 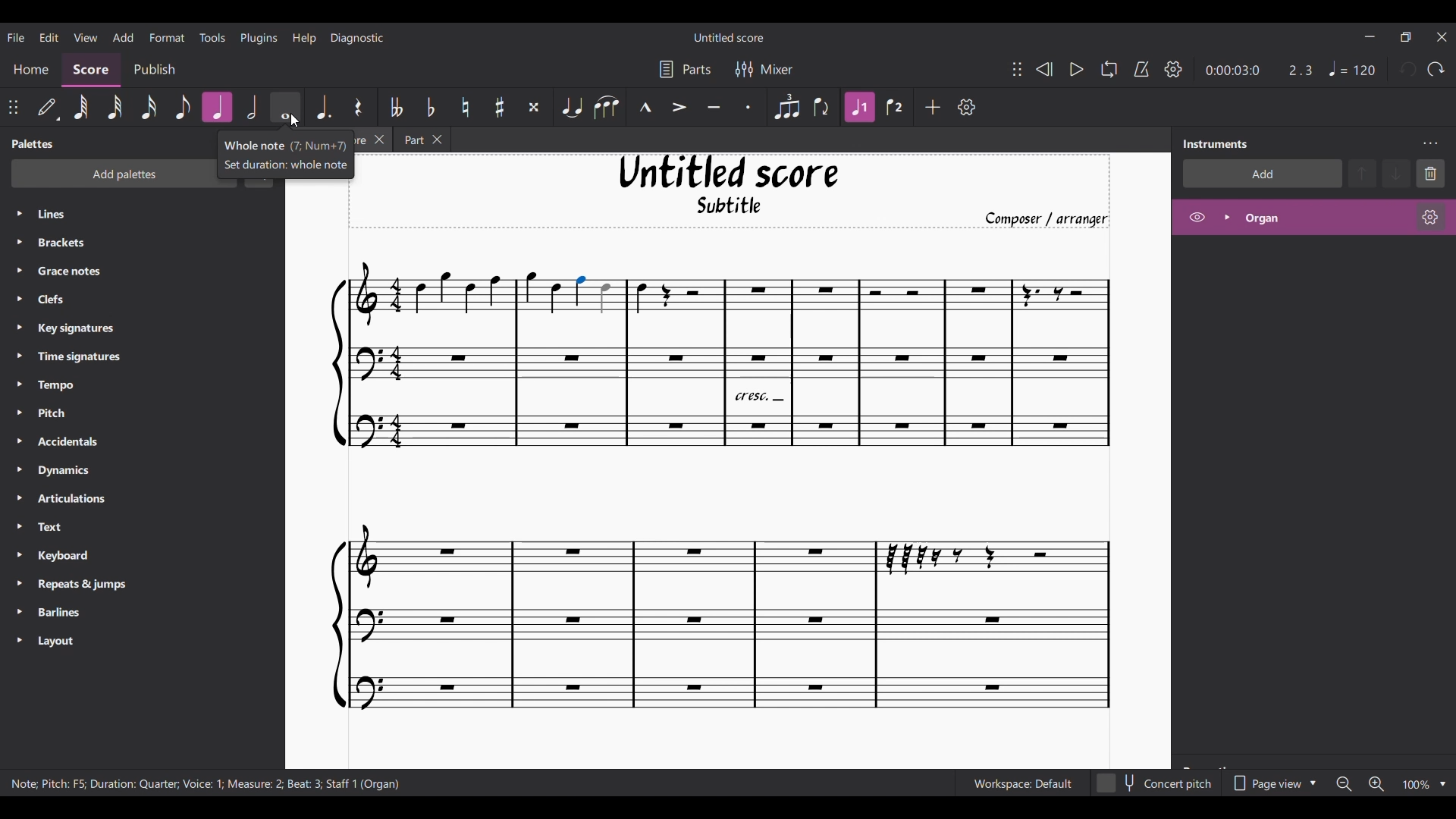 What do you see at coordinates (85, 36) in the screenshot?
I see `View menu` at bounding box center [85, 36].